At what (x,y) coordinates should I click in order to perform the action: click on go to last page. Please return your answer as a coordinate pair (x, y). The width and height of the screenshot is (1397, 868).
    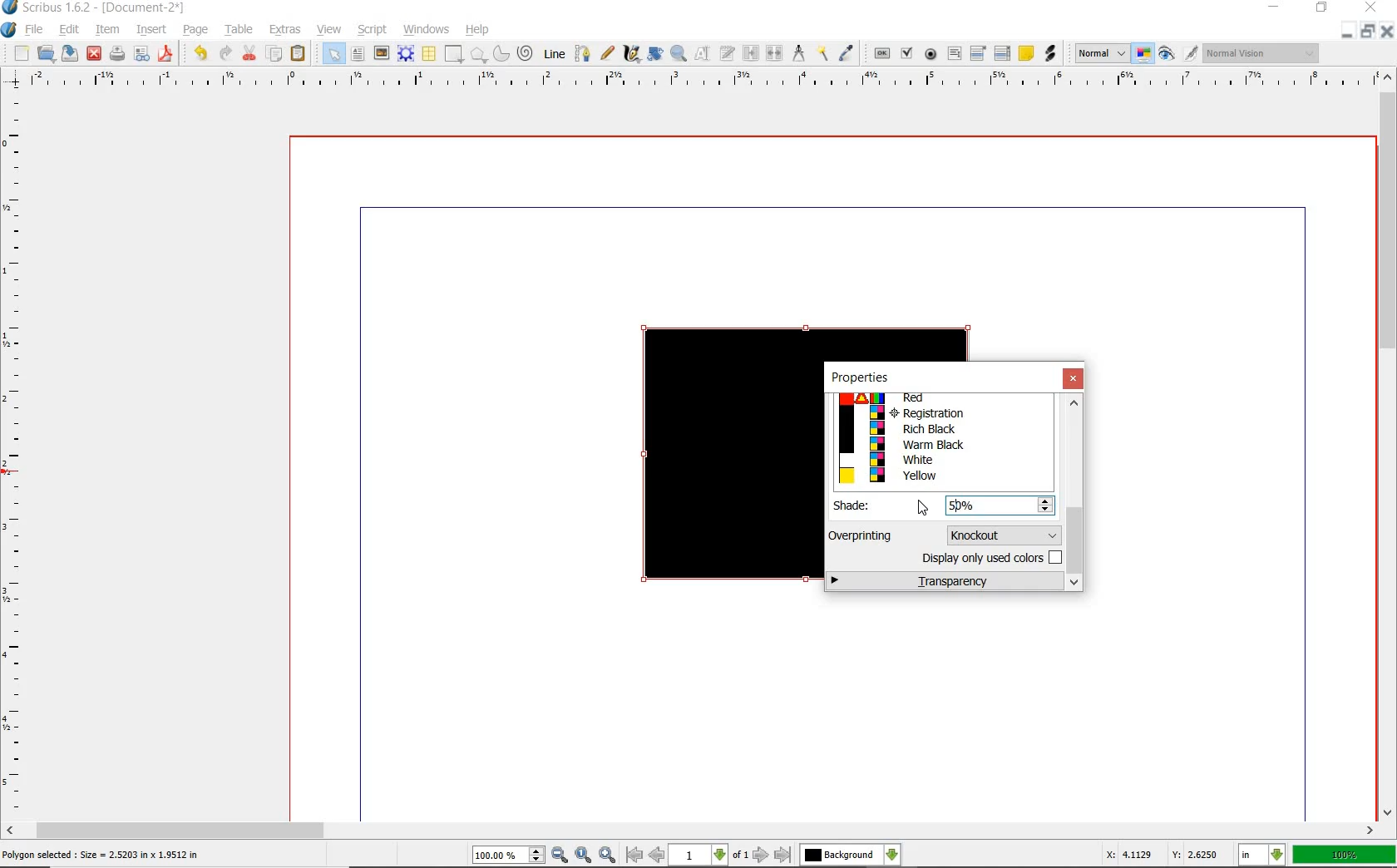
    Looking at the image, I should click on (783, 854).